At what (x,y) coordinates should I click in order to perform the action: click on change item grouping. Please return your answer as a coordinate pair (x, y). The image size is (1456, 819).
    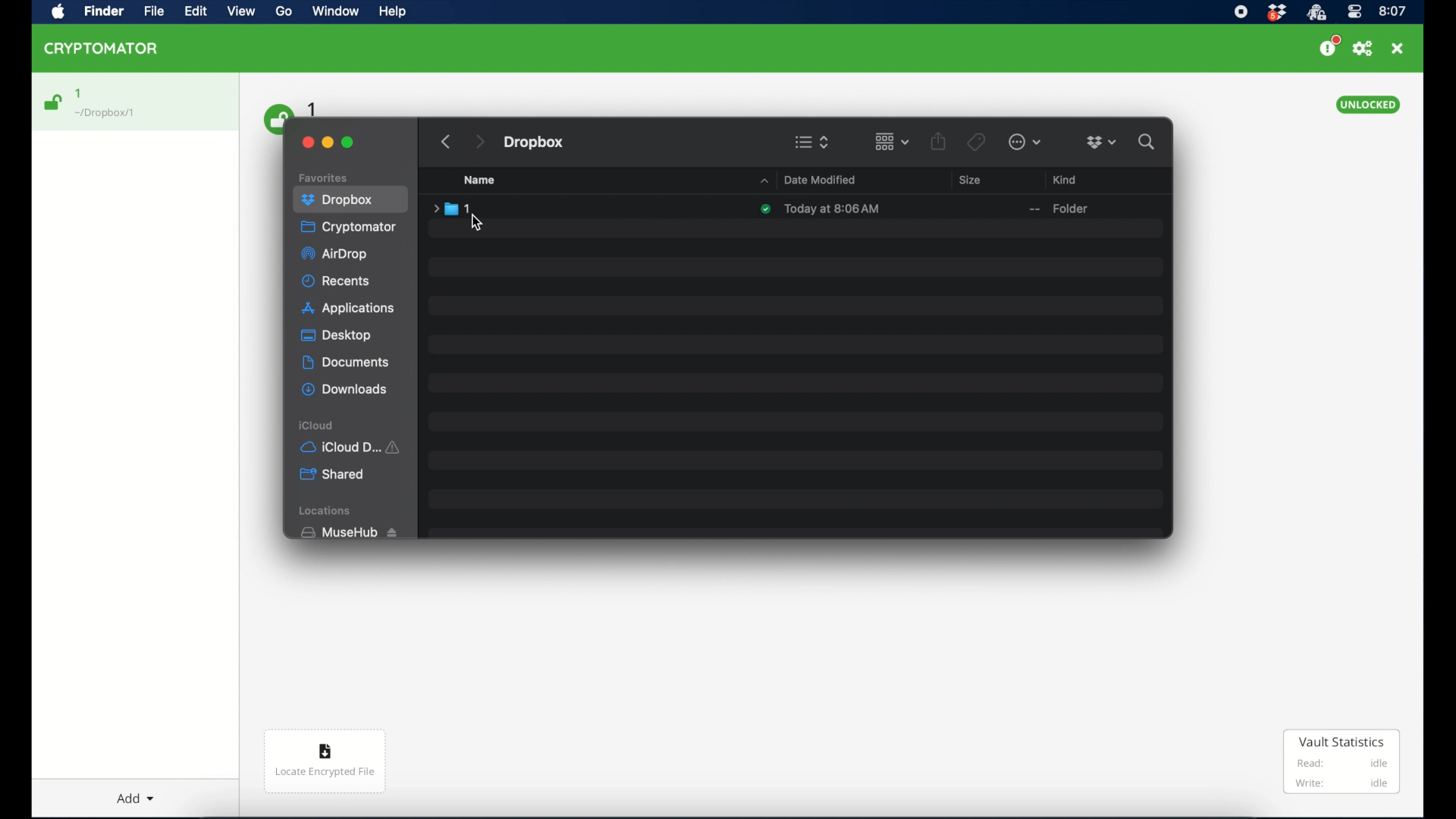
    Looking at the image, I should click on (891, 141).